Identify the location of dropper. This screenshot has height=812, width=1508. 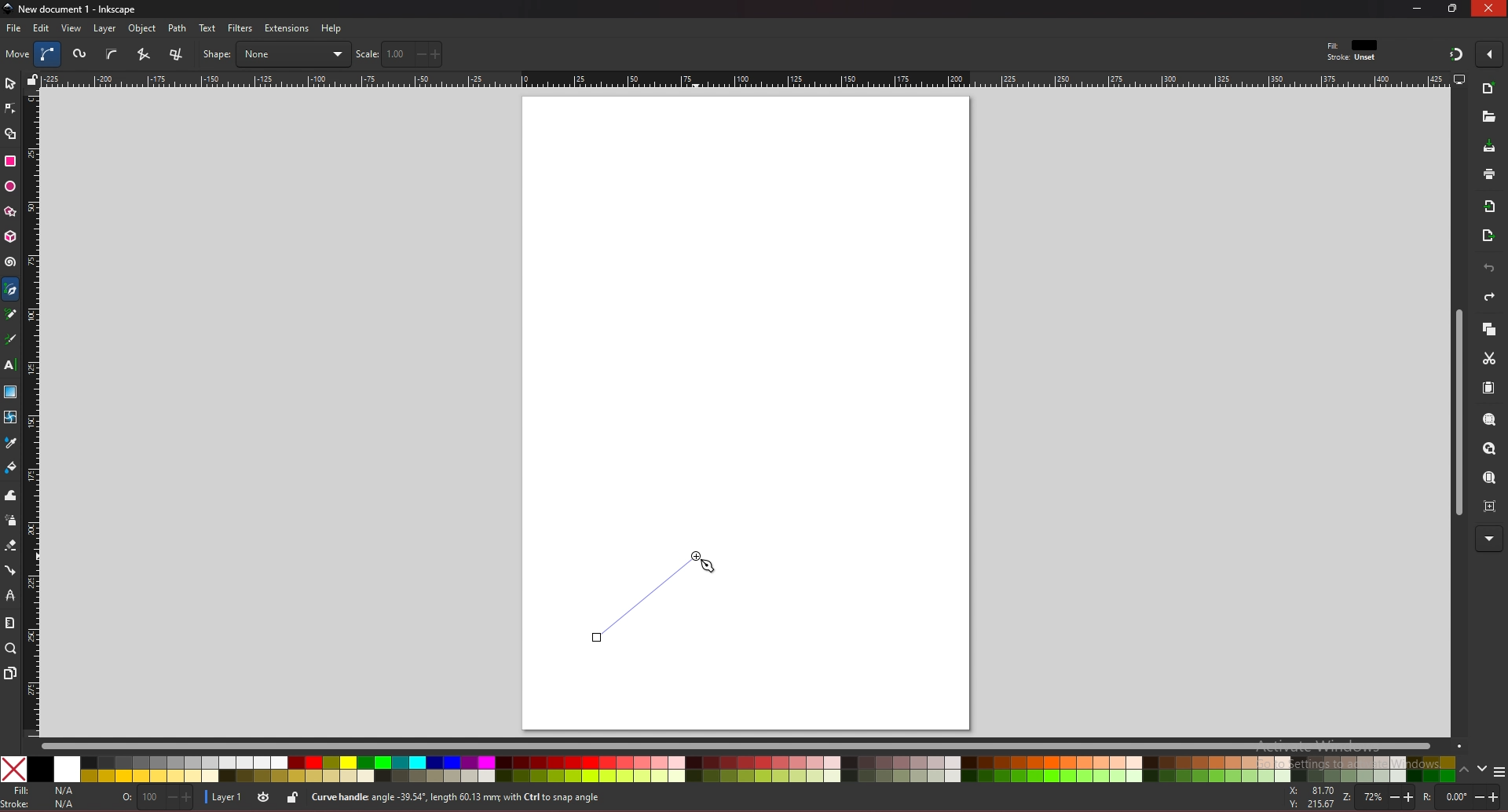
(11, 444).